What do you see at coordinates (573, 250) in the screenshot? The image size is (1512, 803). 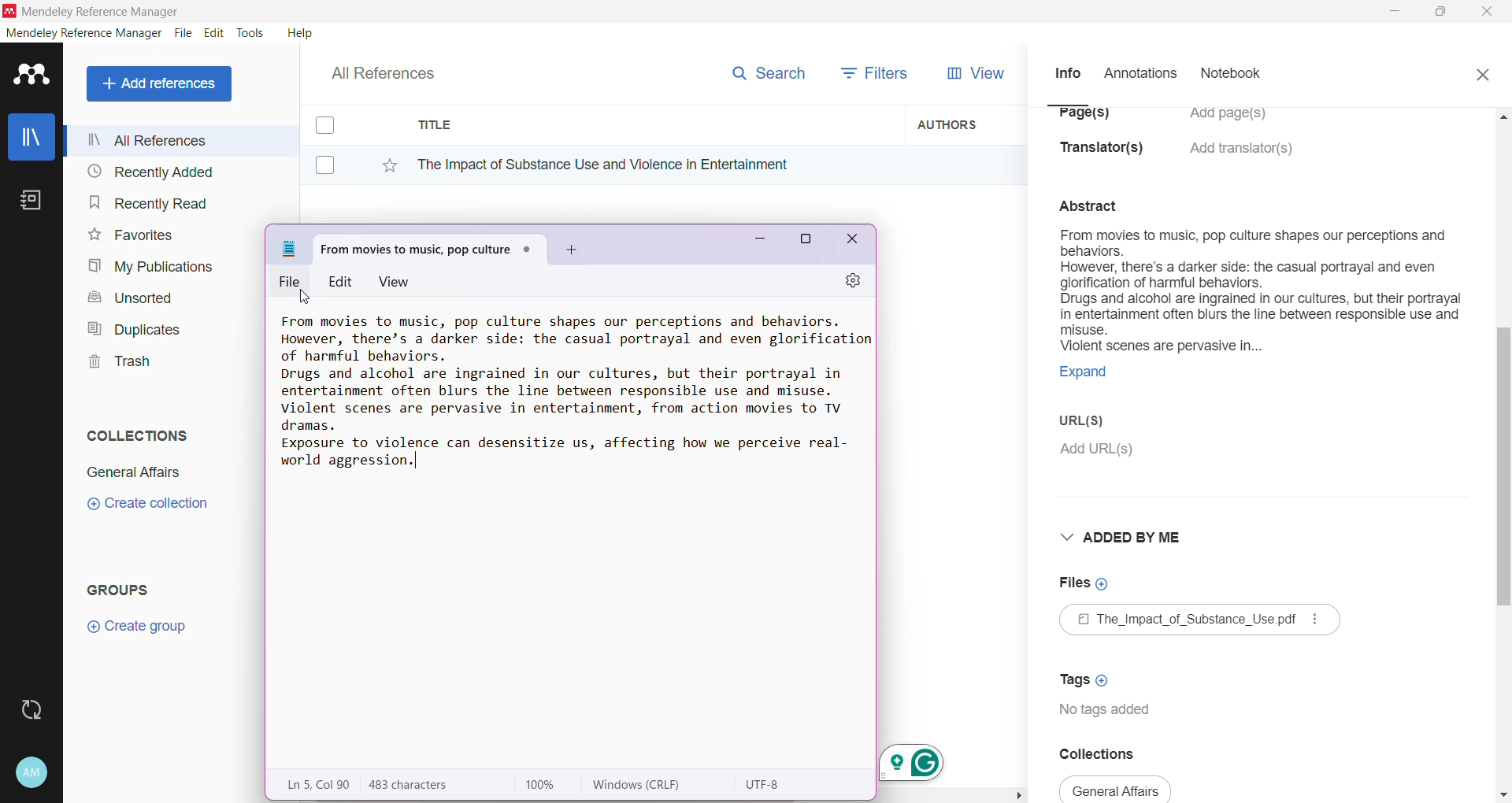 I see `Add New Tab` at bounding box center [573, 250].